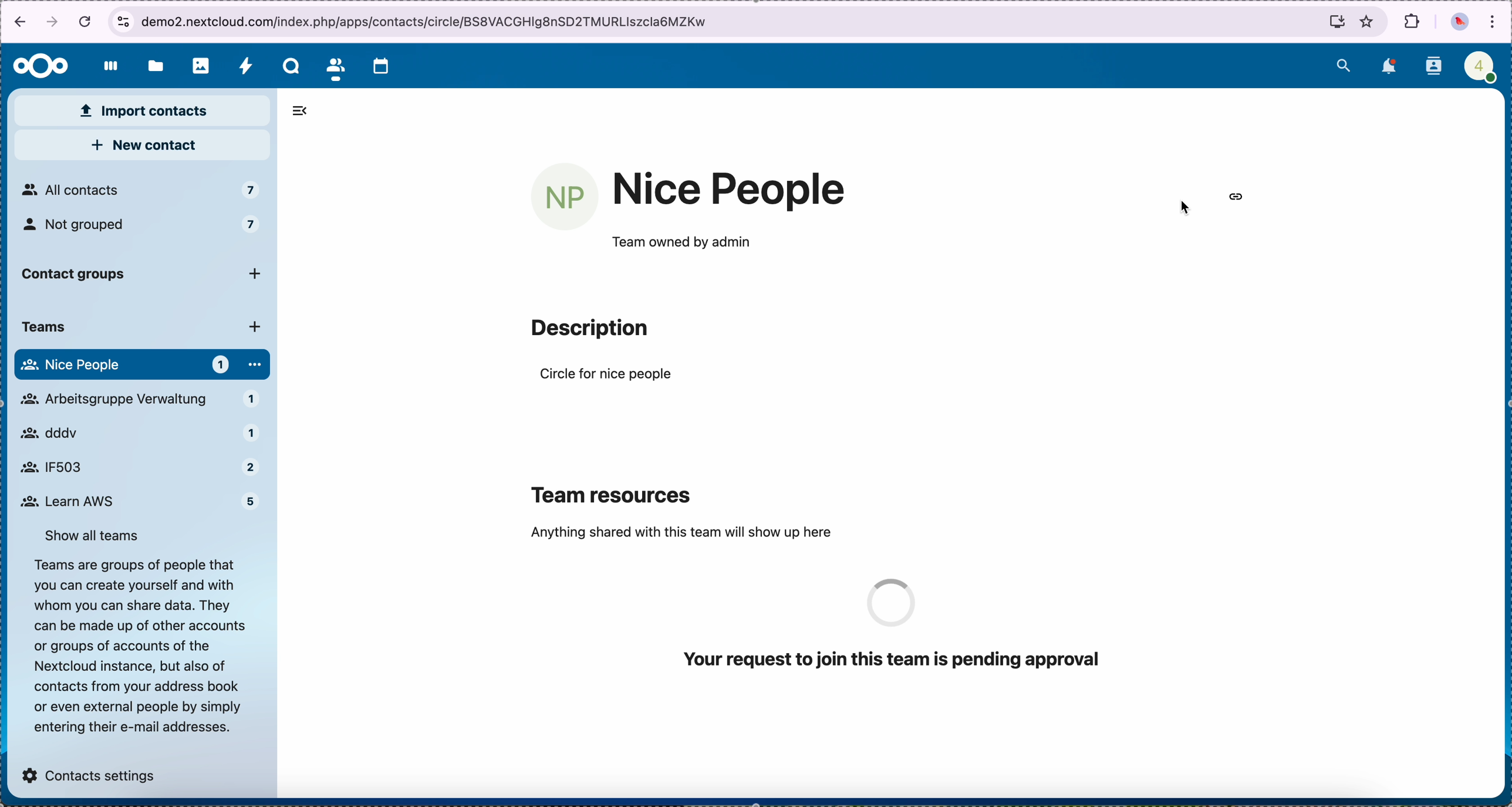  What do you see at coordinates (614, 492) in the screenshot?
I see `team resources` at bounding box center [614, 492].